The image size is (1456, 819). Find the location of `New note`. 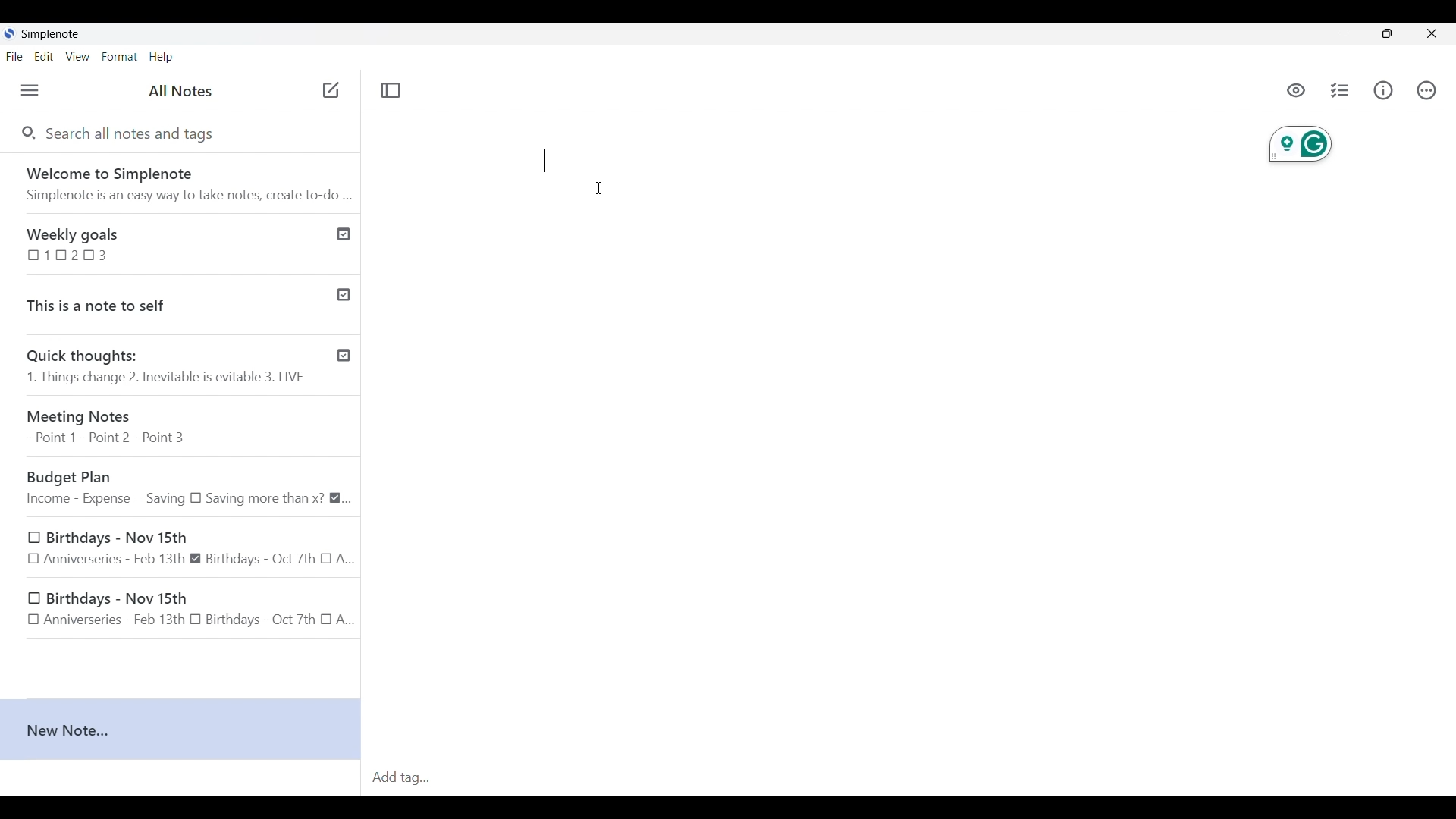

New note is located at coordinates (180, 730).